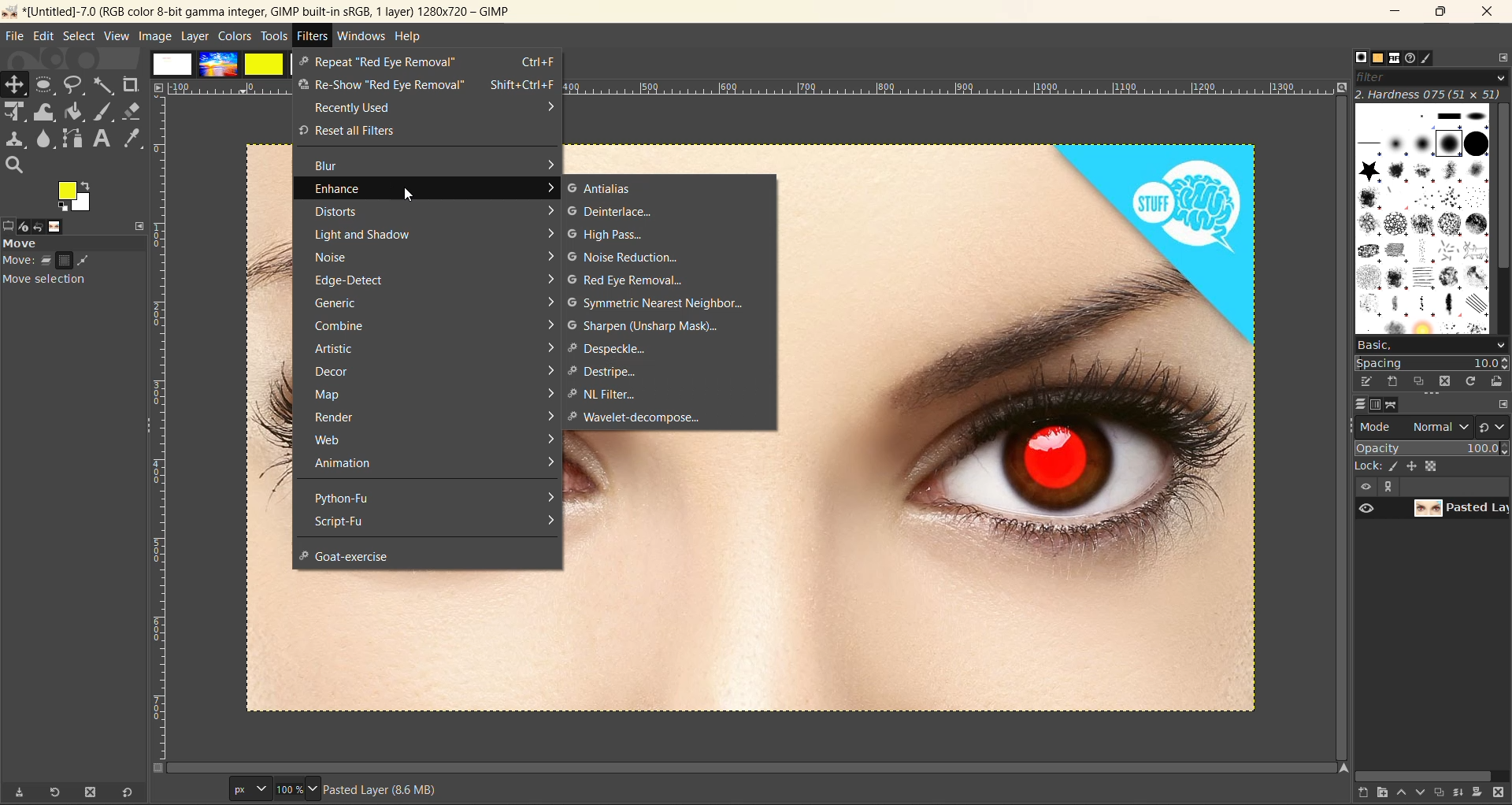 The height and width of the screenshot is (805, 1512). Describe the element at coordinates (273, 788) in the screenshot. I see `size` at that location.